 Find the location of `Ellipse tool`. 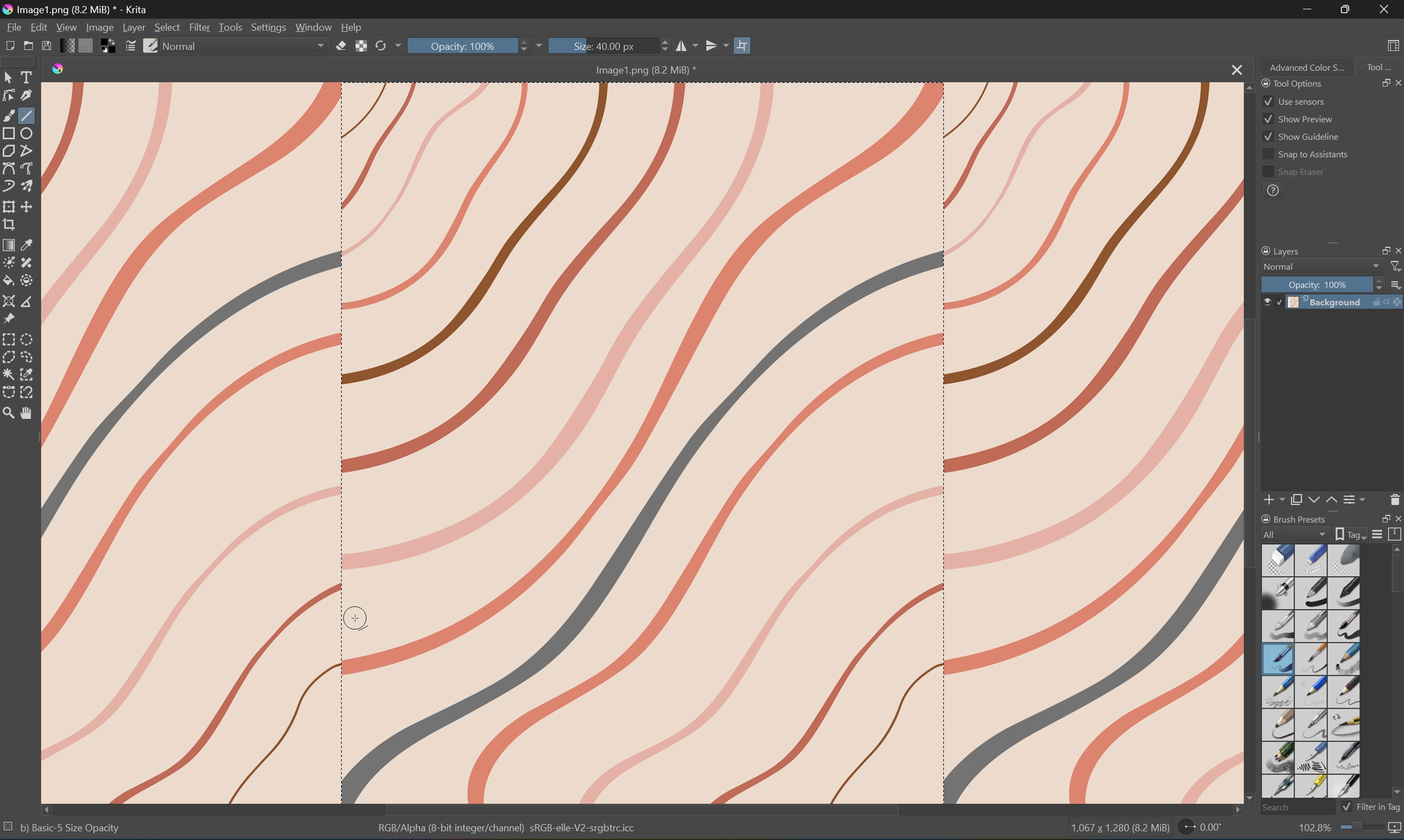

Ellipse tool is located at coordinates (29, 131).